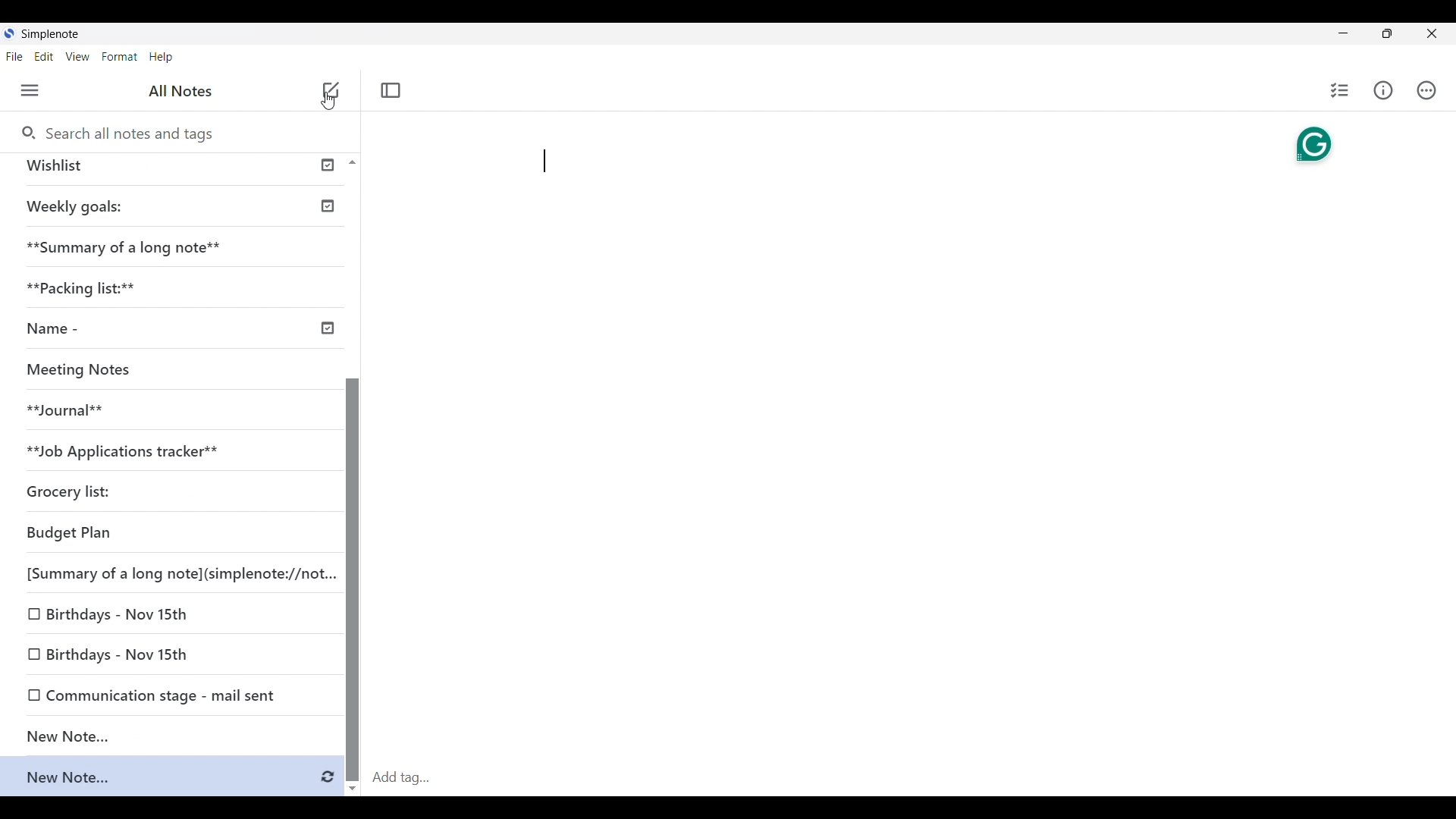 This screenshot has width=1456, height=819. Describe the element at coordinates (74, 206) in the screenshot. I see `Weekly goals` at that location.